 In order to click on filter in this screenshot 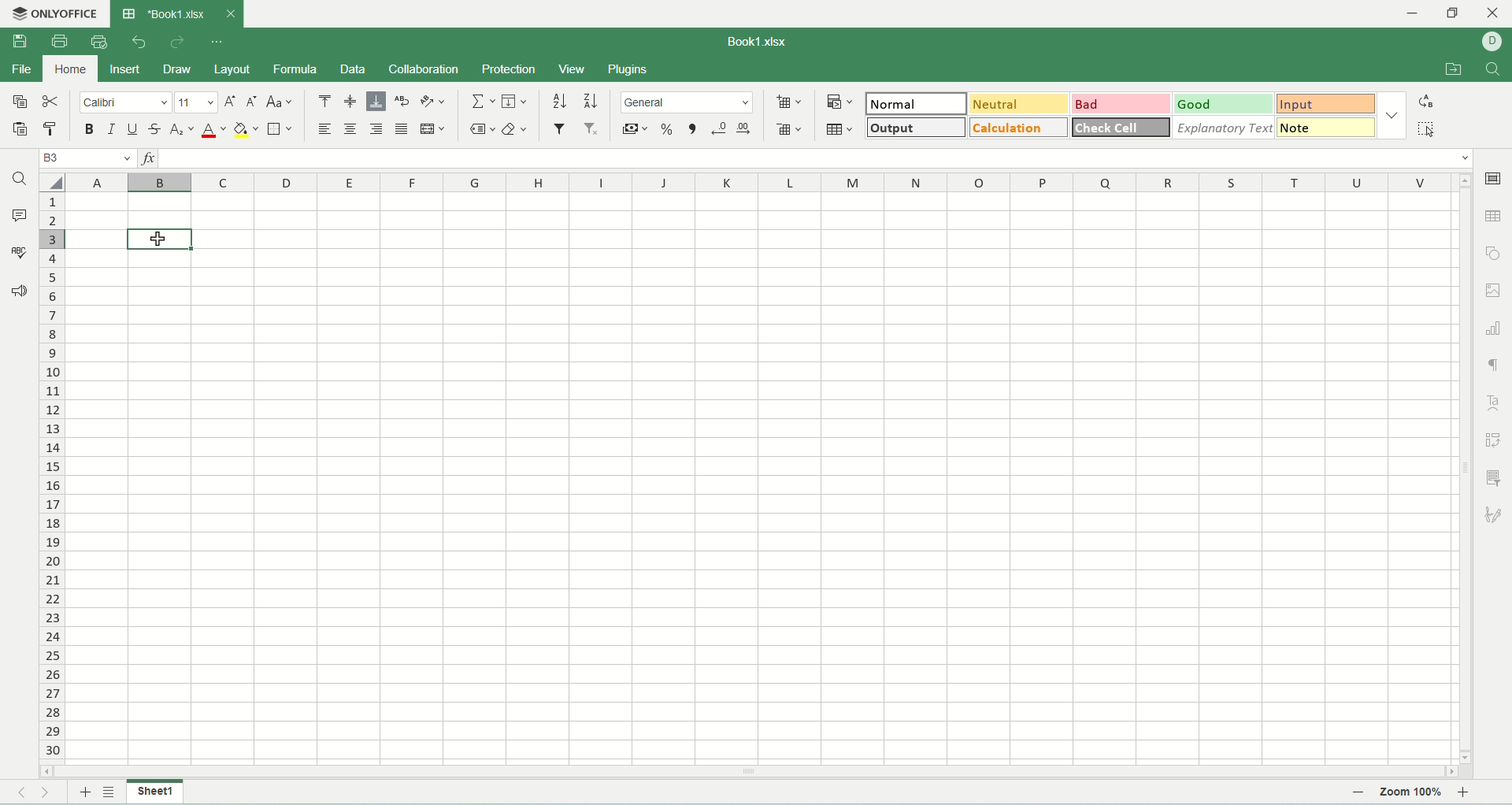, I will do `click(560, 128)`.